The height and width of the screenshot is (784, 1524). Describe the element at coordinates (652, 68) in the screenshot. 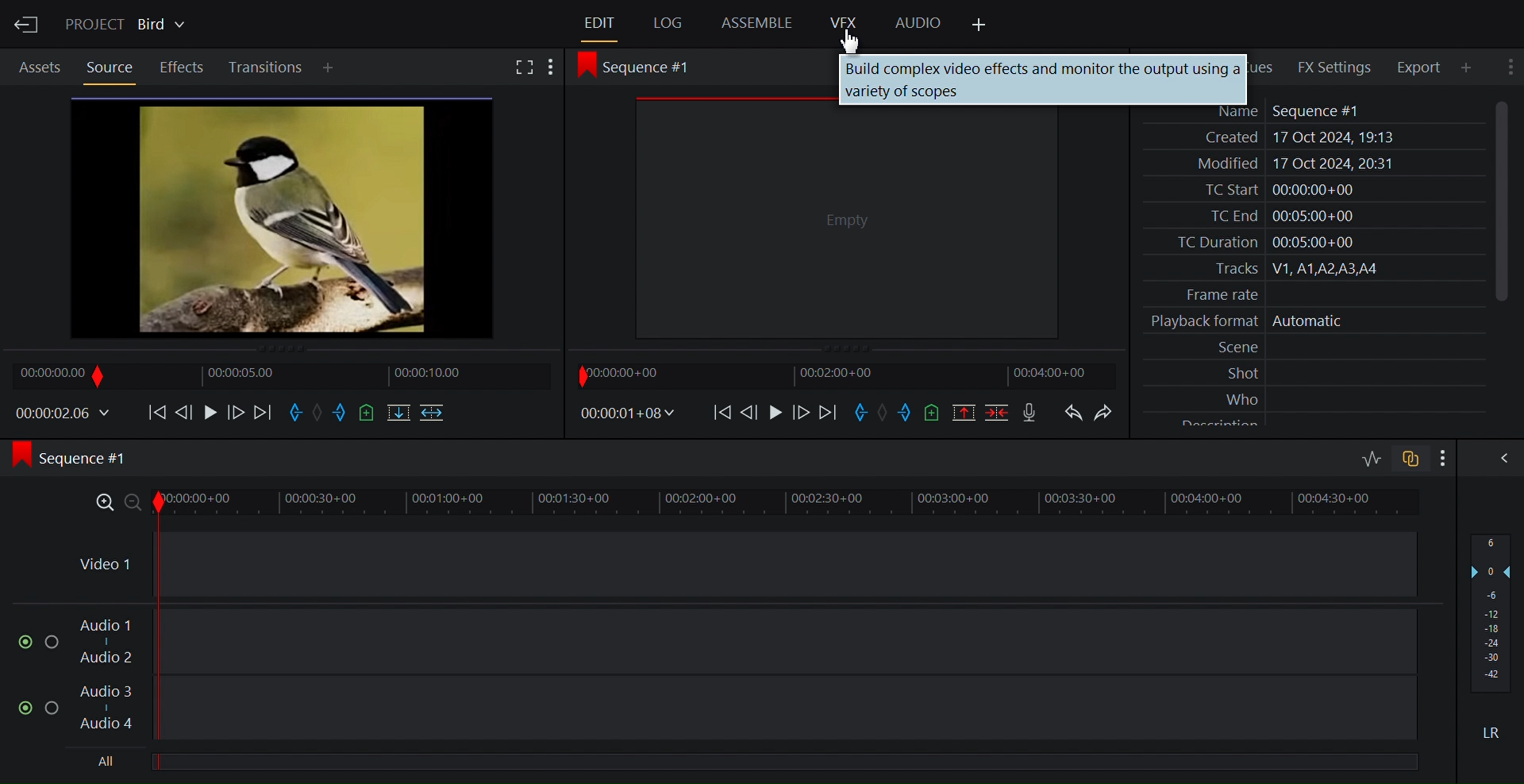

I see `Sequence 1` at that location.